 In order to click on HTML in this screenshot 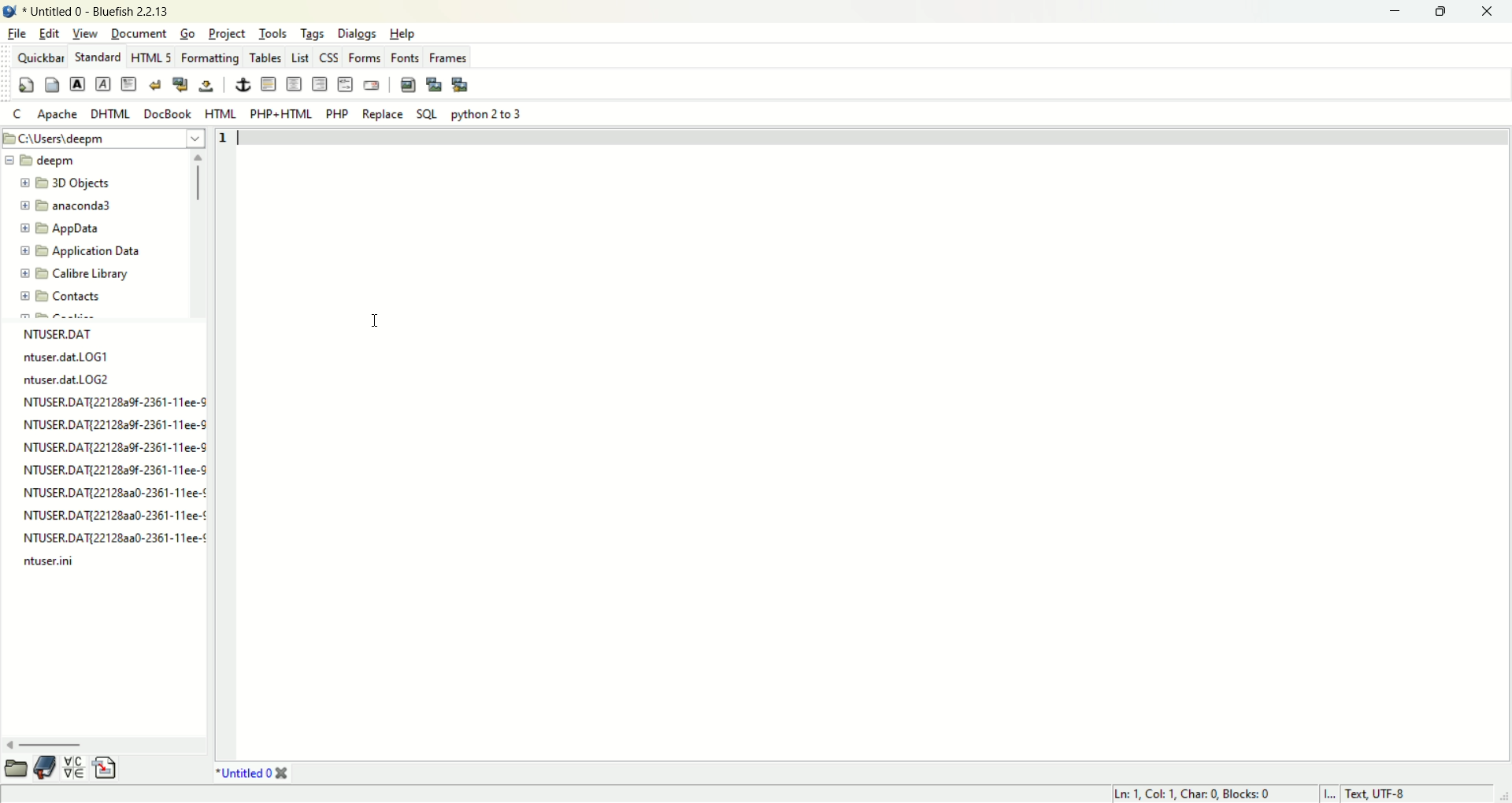, I will do `click(221, 115)`.